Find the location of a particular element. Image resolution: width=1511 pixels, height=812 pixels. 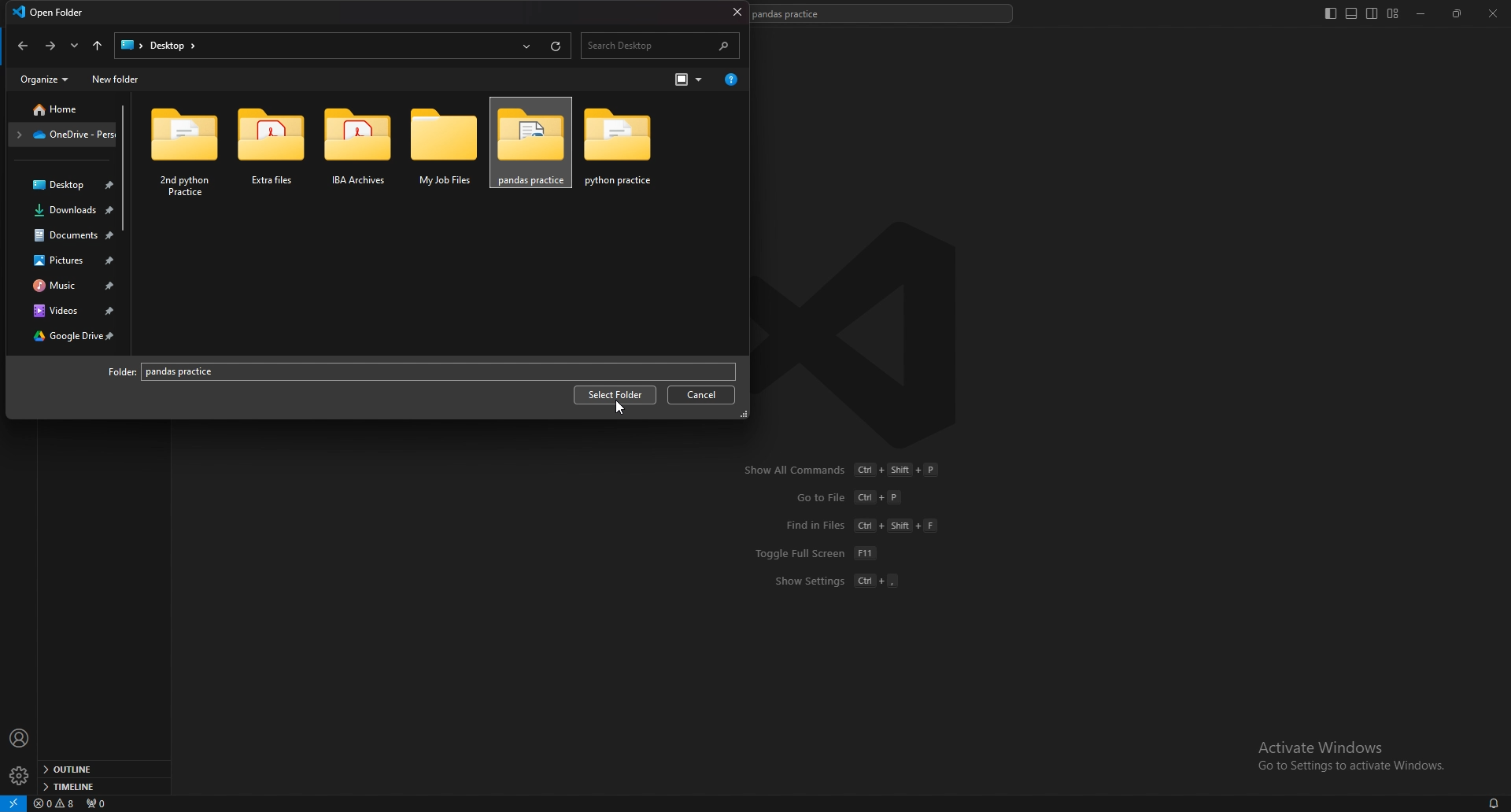

alarms is located at coordinates (1494, 803).